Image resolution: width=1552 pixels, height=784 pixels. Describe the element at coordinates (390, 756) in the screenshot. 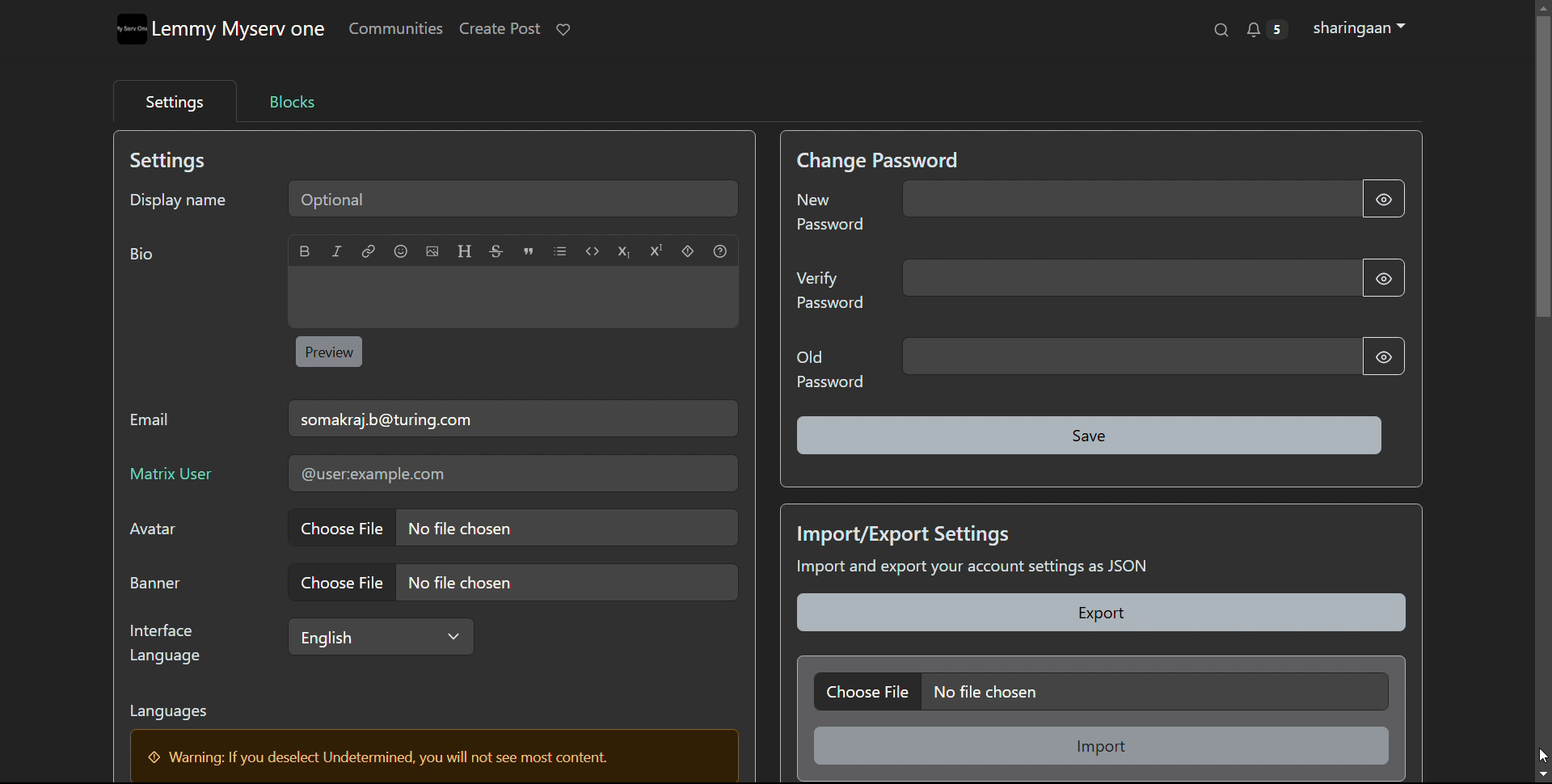

I see `| © Warning: If you deselect Undetermined, you will not see most content.` at that location.